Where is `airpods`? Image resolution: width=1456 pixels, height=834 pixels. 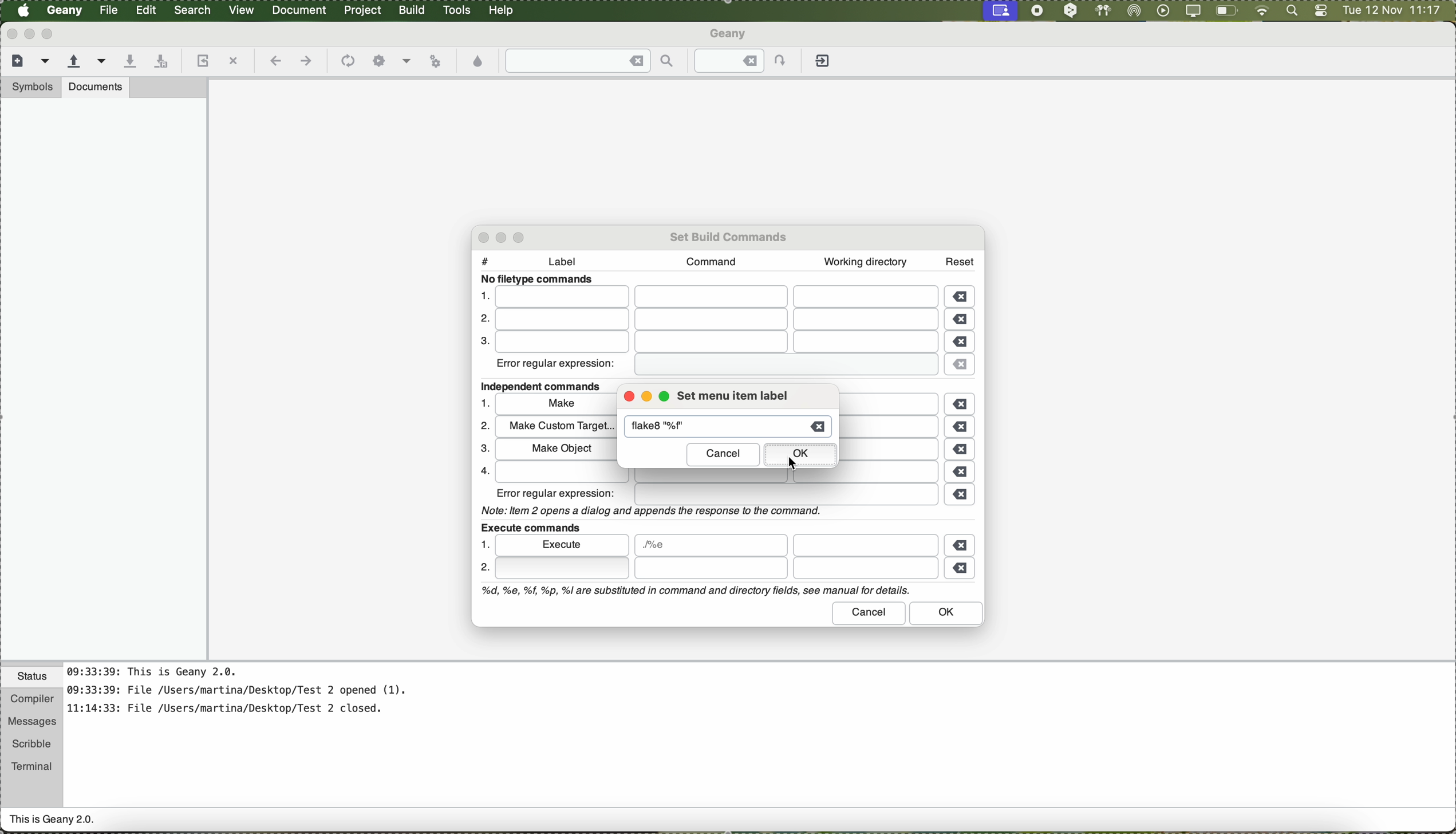
airpods is located at coordinates (1102, 10).